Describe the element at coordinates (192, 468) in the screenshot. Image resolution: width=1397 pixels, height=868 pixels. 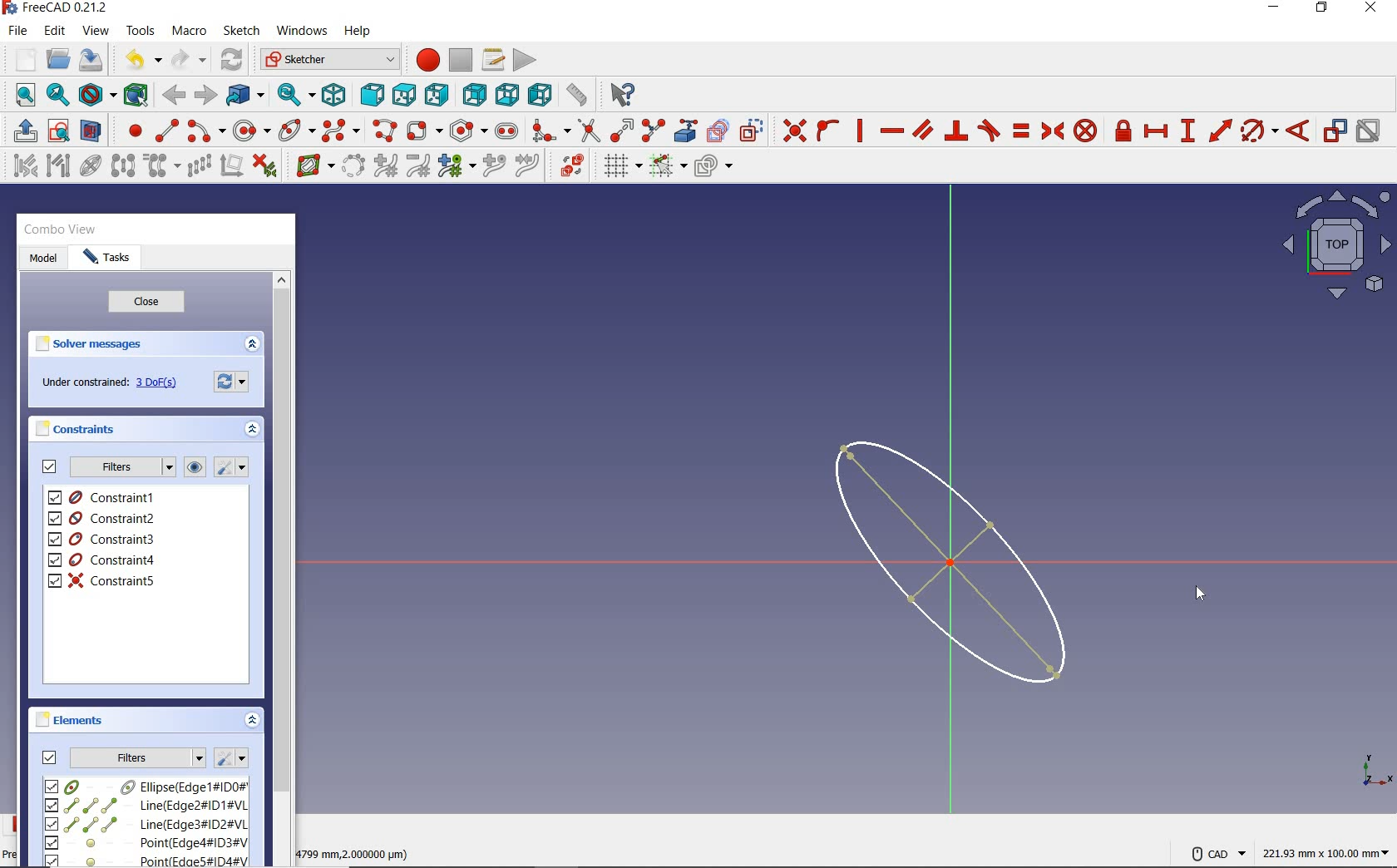
I see `show/hide all listed constraints` at that location.